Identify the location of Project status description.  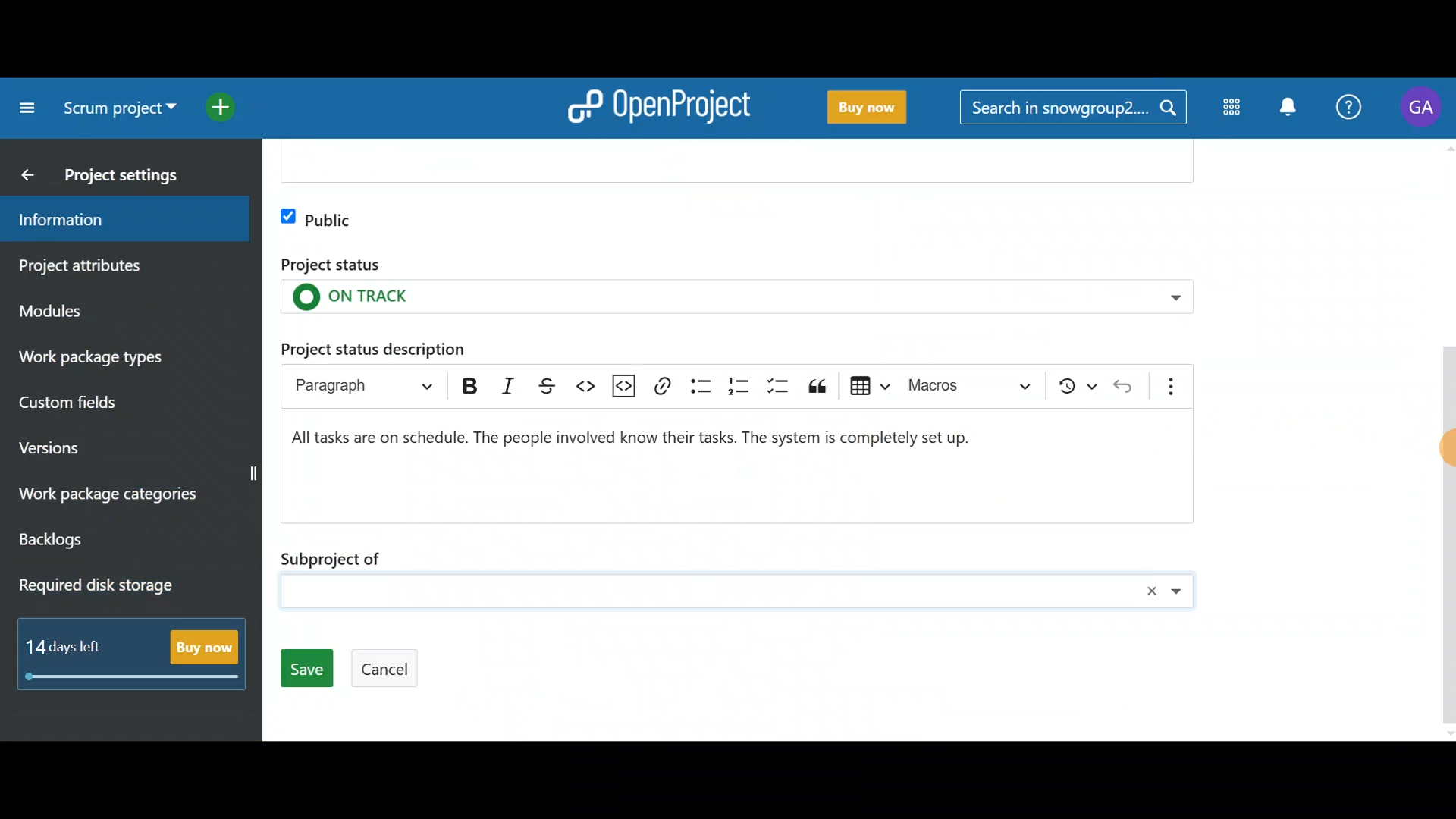
(411, 347).